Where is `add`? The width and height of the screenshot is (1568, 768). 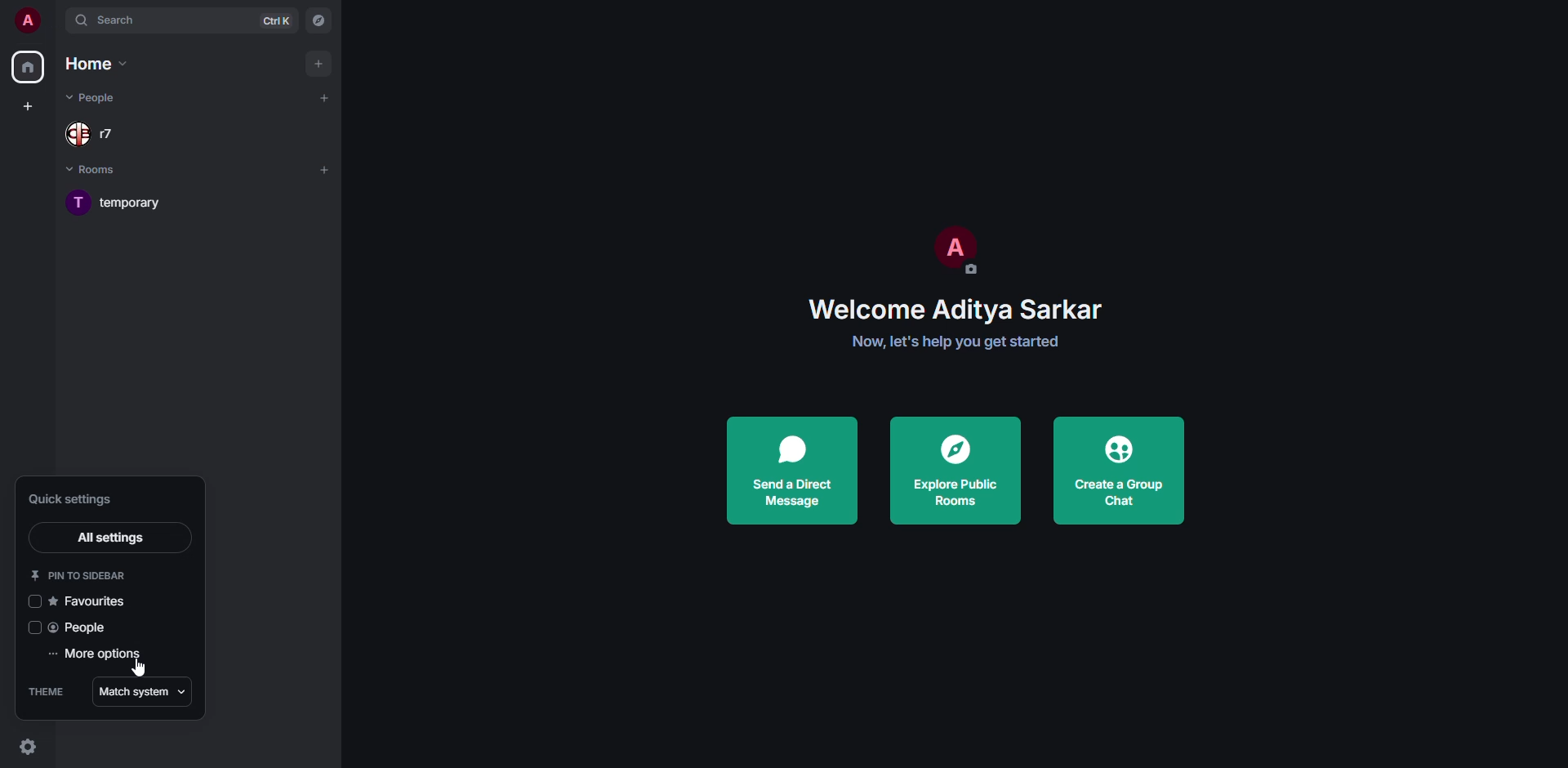 add is located at coordinates (323, 170).